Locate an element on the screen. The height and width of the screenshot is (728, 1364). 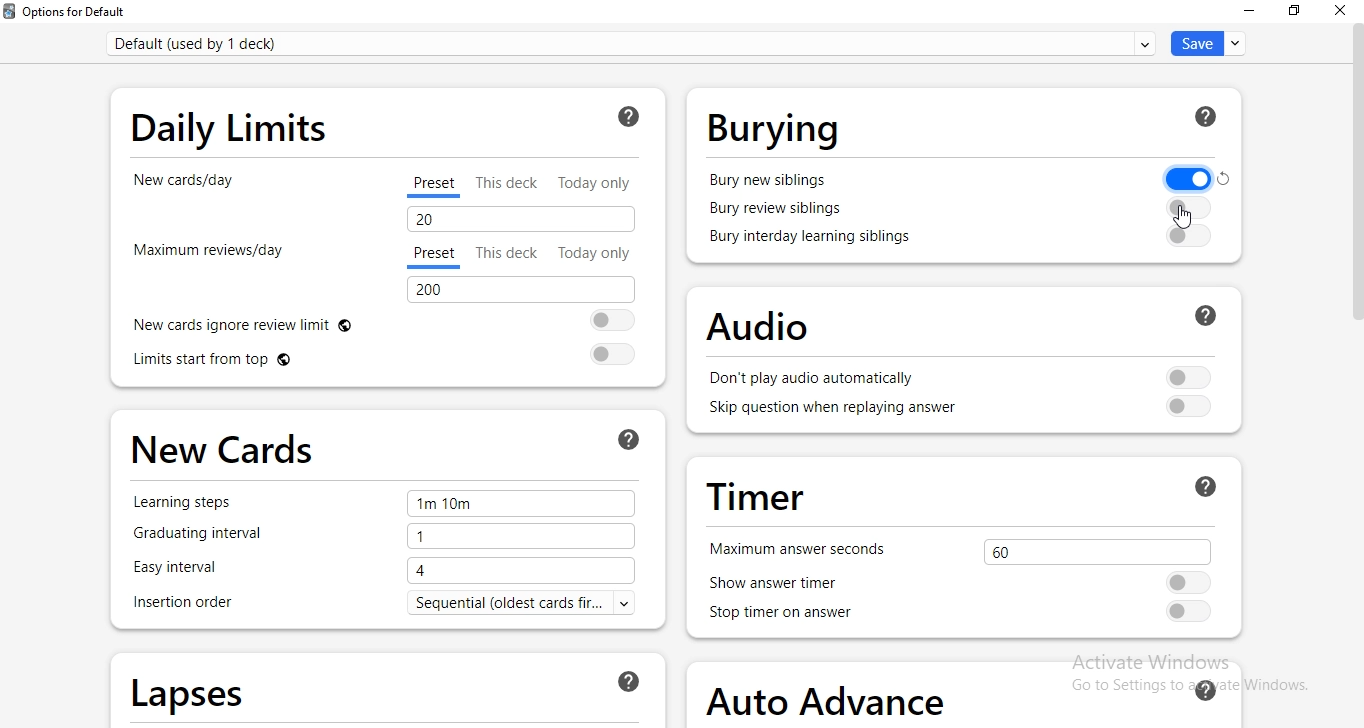
maximum reviews/day is located at coordinates (206, 259).